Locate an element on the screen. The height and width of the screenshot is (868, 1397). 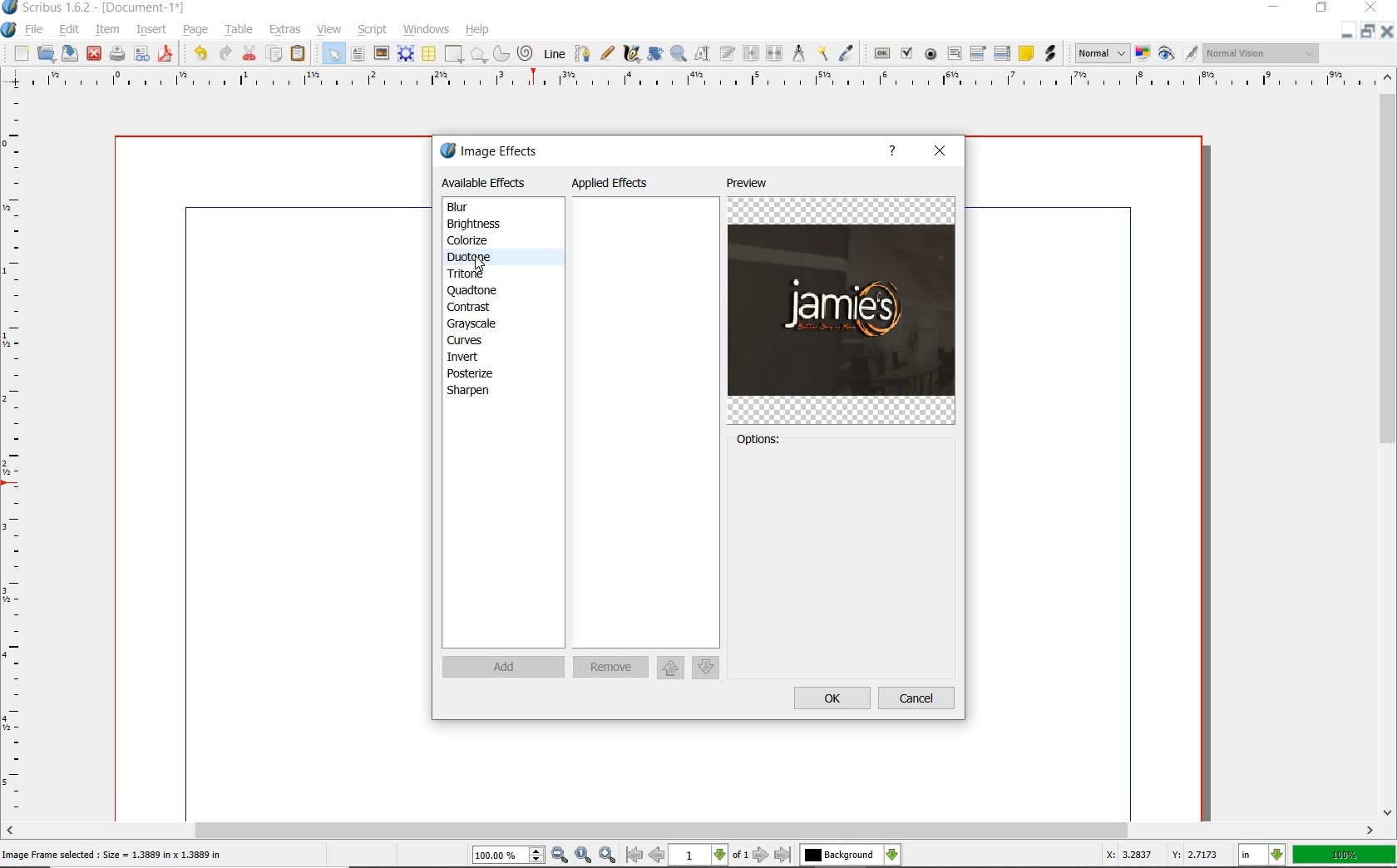
posterize is located at coordinates (471, 372).